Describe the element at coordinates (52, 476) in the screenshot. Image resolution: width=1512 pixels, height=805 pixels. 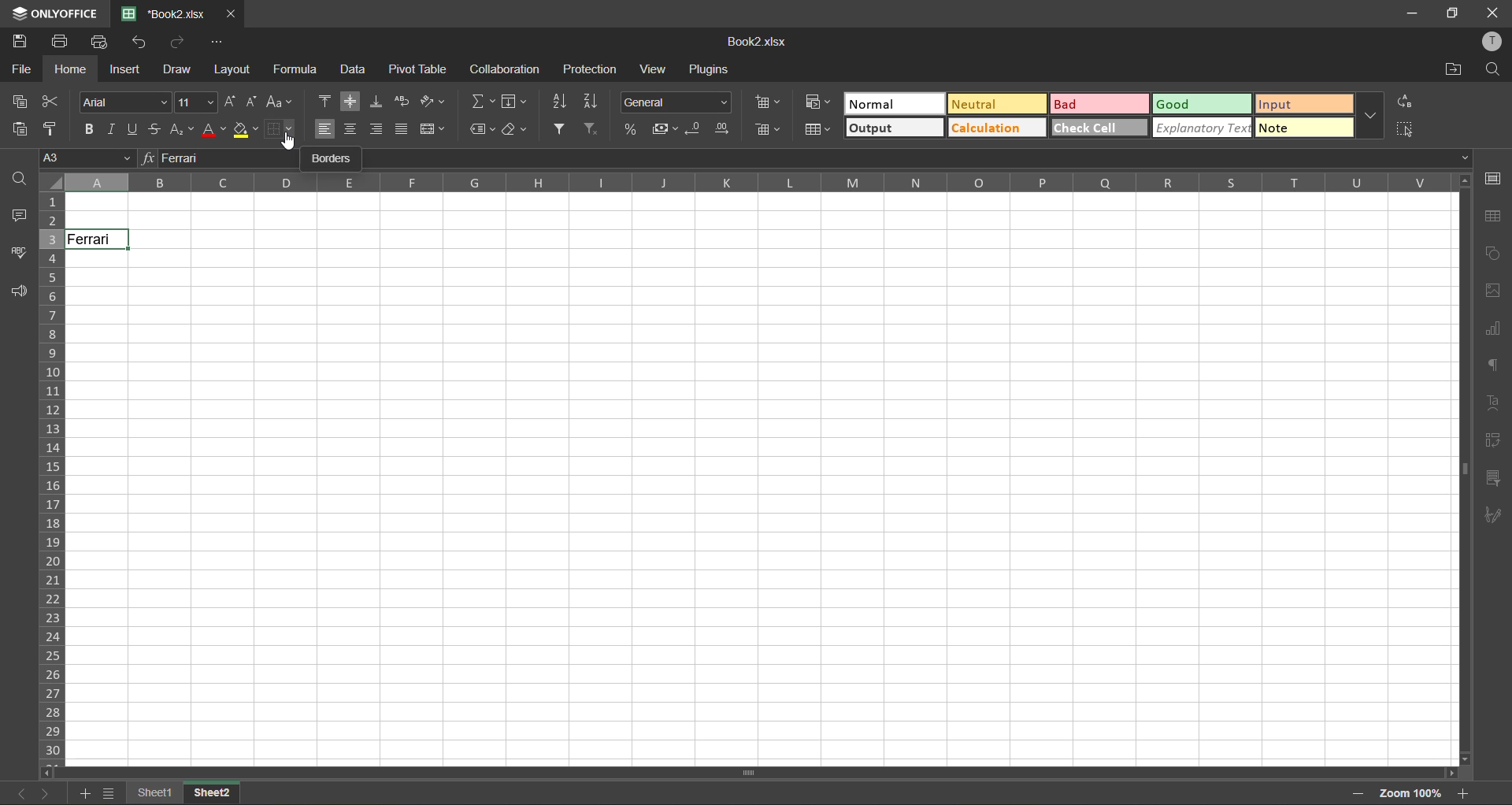
I see `row numbers` at that location.